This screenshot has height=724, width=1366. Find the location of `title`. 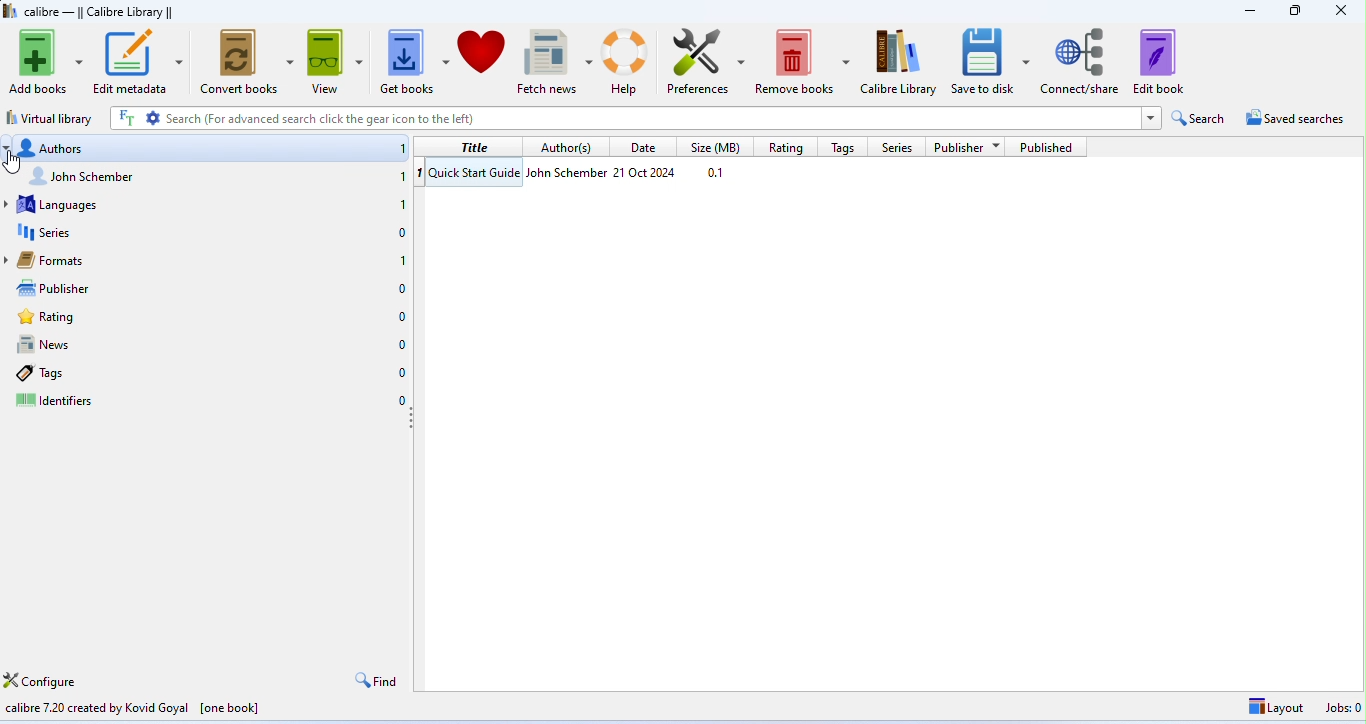

title is located at coordinates (90, 10).